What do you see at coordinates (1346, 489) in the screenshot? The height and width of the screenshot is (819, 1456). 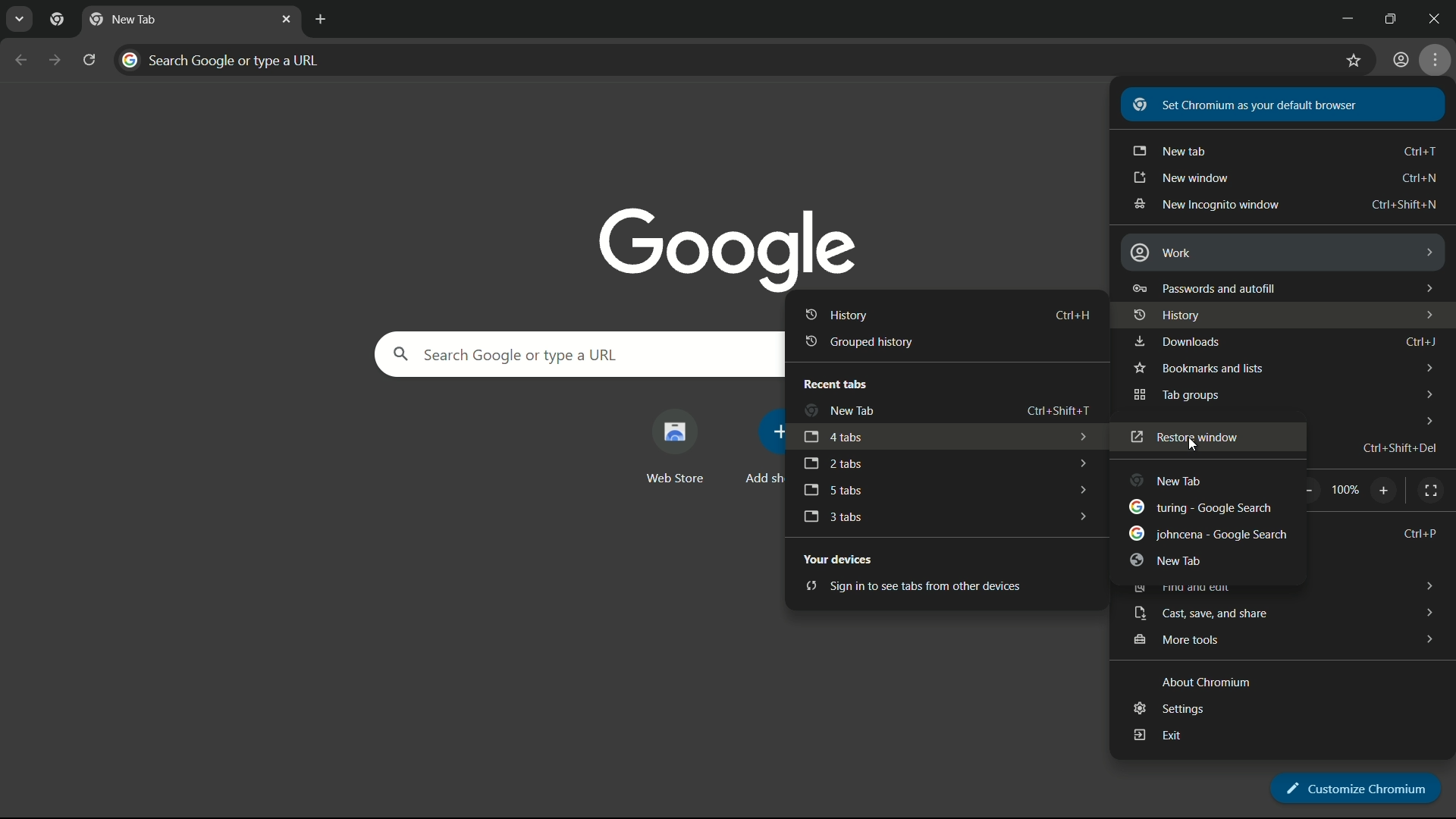 I see `scale factor` at bounding box center [1346, 489].